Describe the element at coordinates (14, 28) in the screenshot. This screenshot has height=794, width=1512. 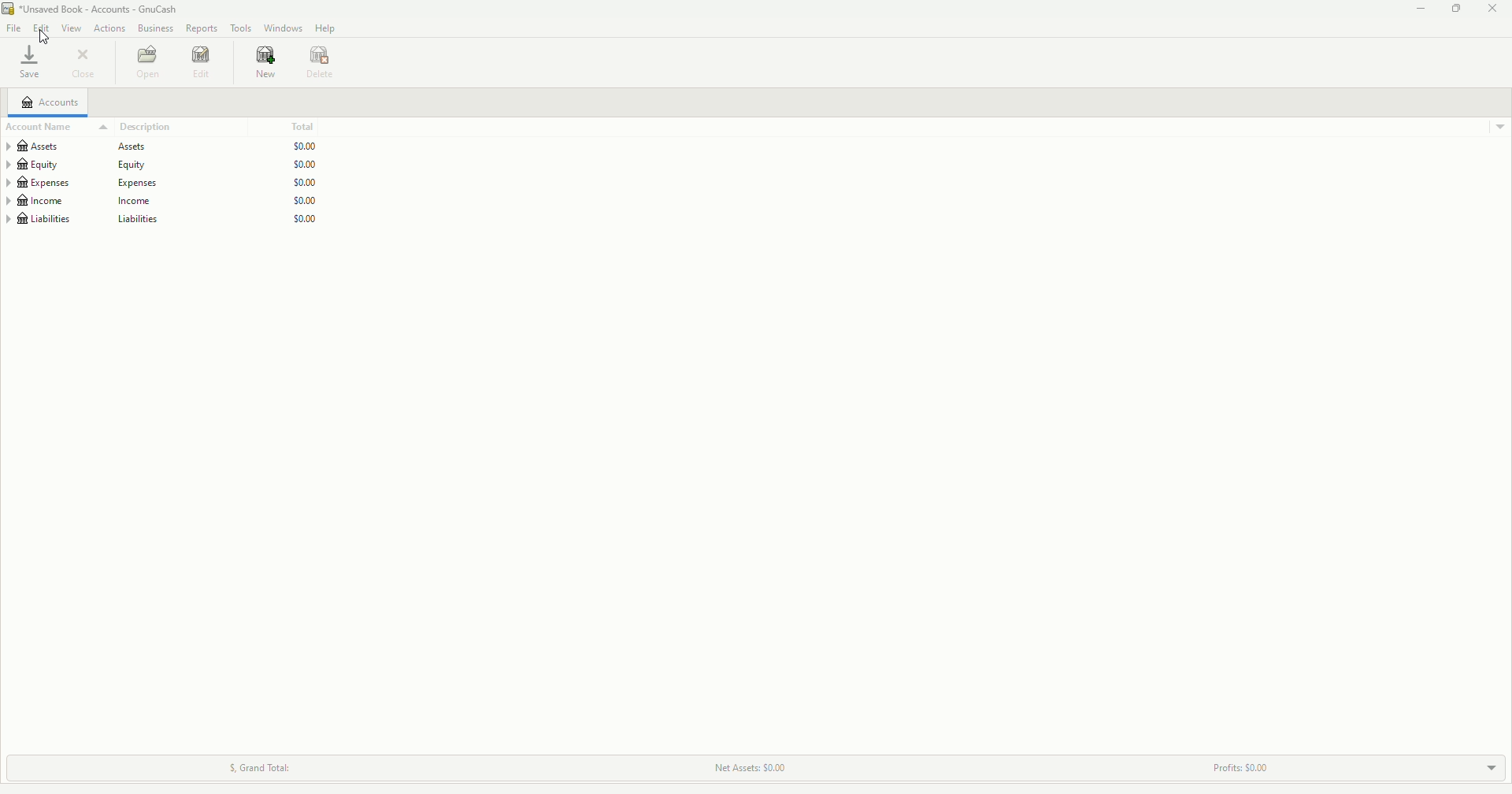
I see `File` at that location.